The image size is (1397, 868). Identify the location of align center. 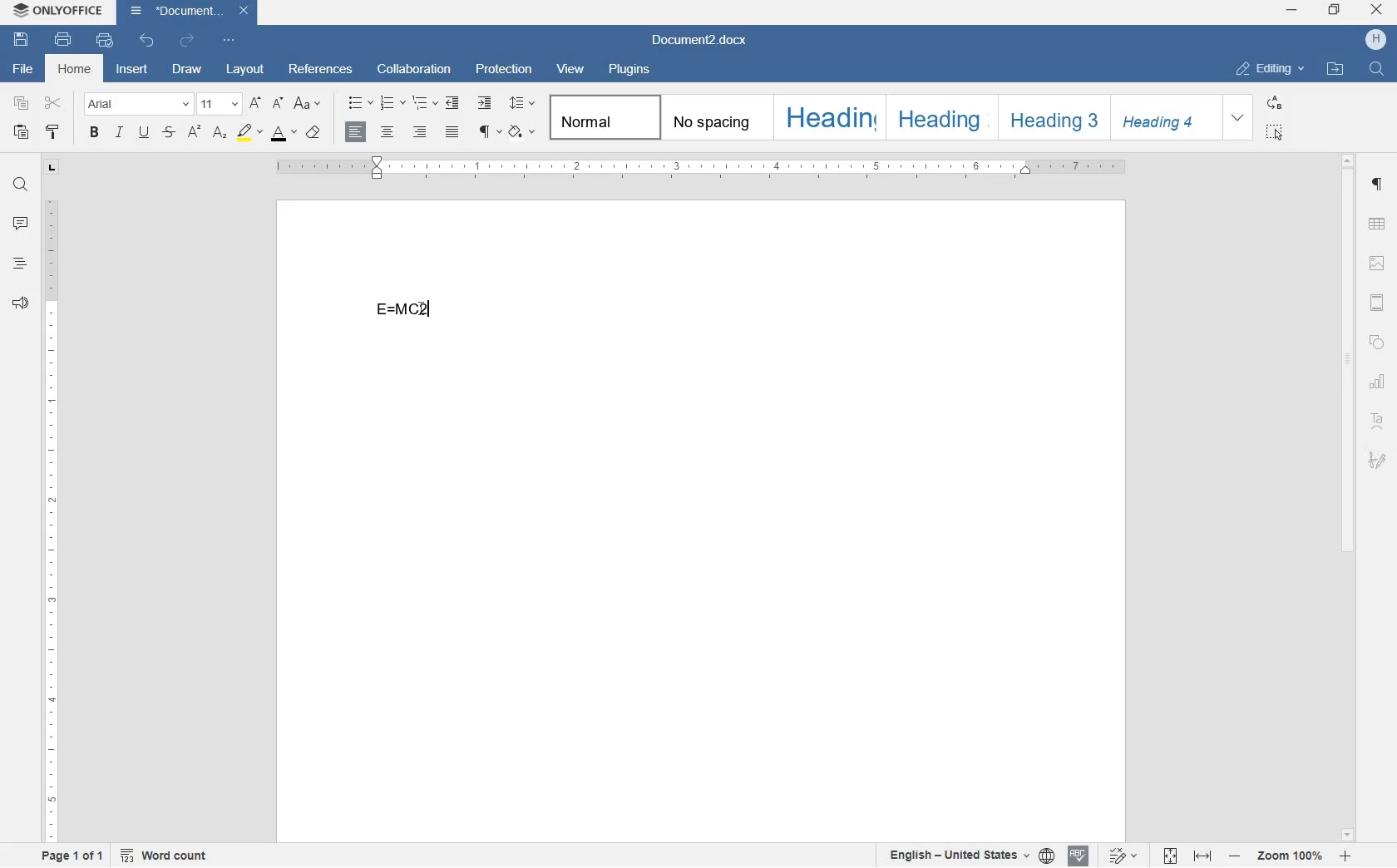
(387, 131).